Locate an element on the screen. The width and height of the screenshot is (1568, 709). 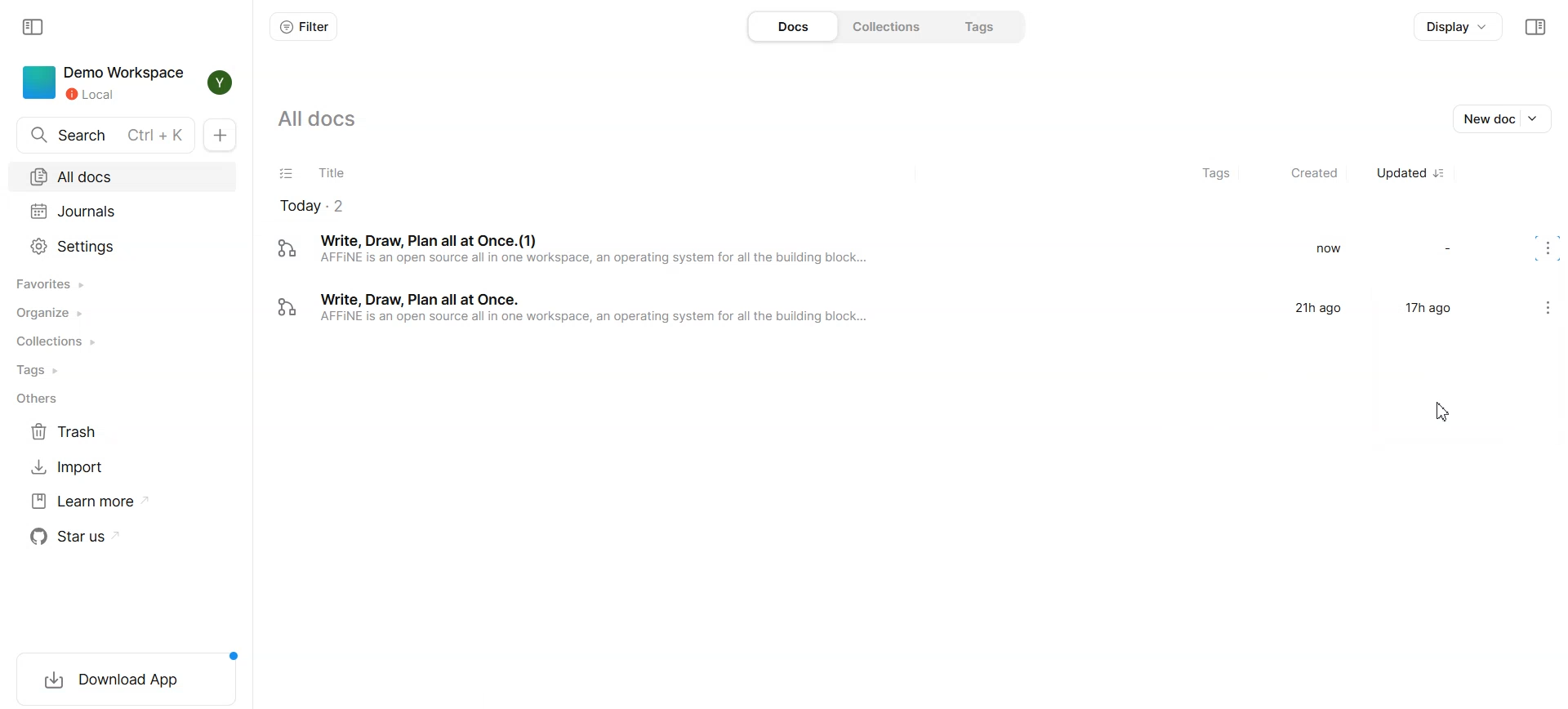
Write, Draw, Plan all at Once. (1) a
AFFINE is an open source all in one workspace, an operating system for all the building block. is located at coordinates (866, 255).